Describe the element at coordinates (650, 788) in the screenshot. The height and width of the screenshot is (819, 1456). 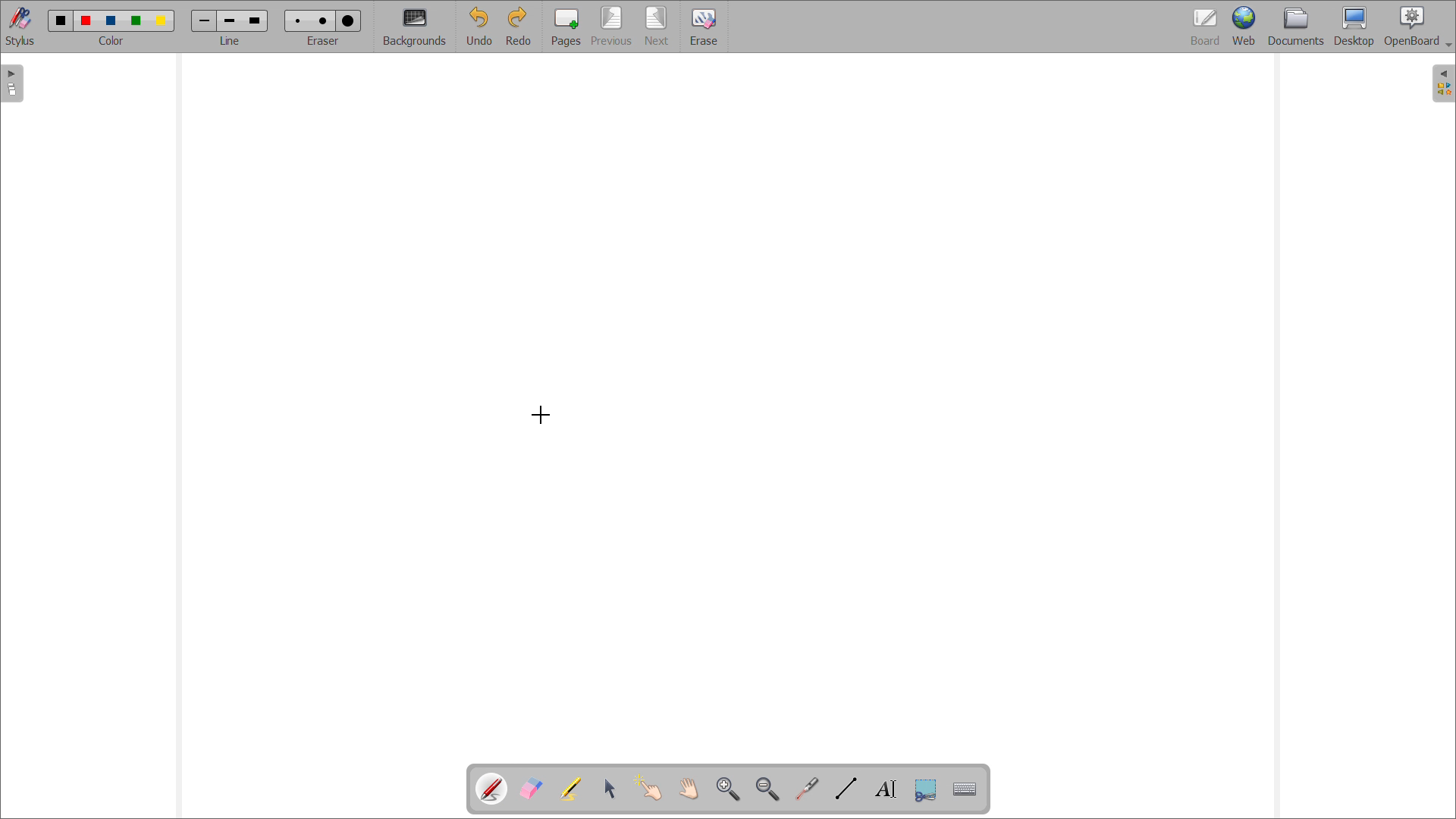
I see `interact with items` at that location.